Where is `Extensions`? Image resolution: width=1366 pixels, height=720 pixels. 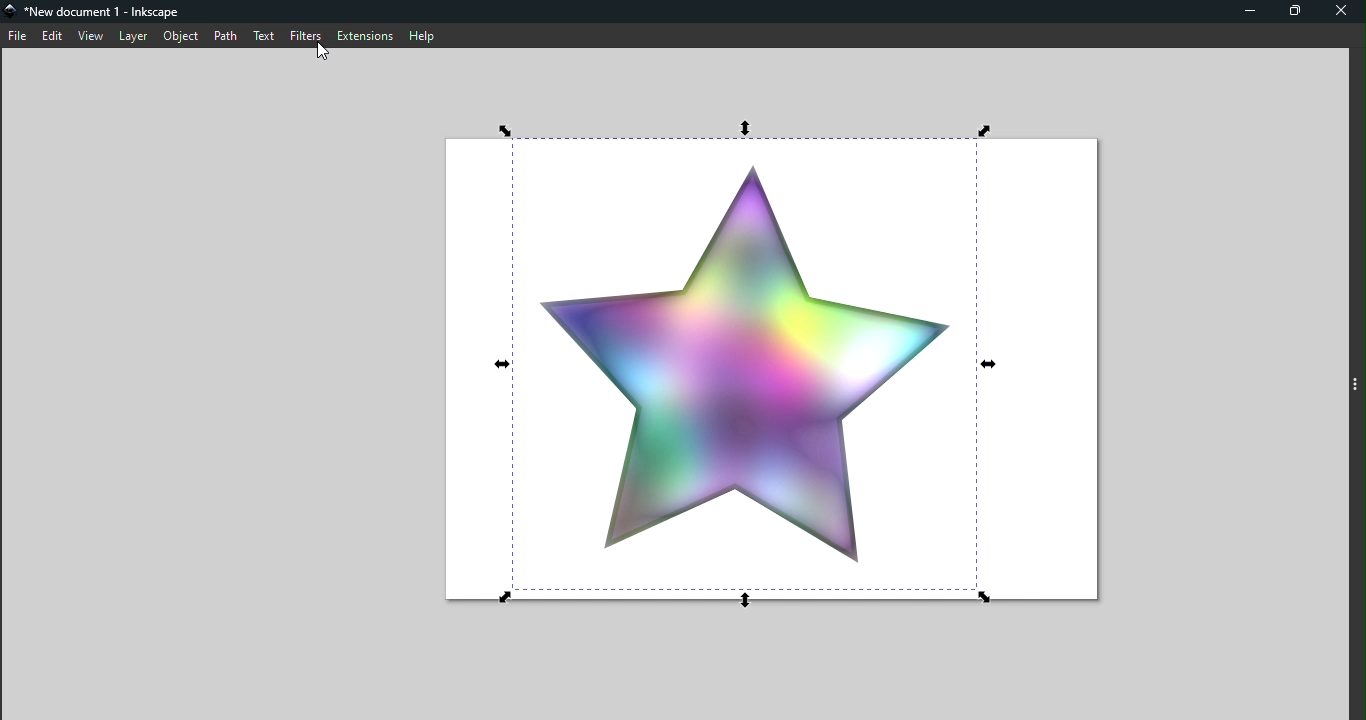 Extensions is located at coordinates (364, 35).